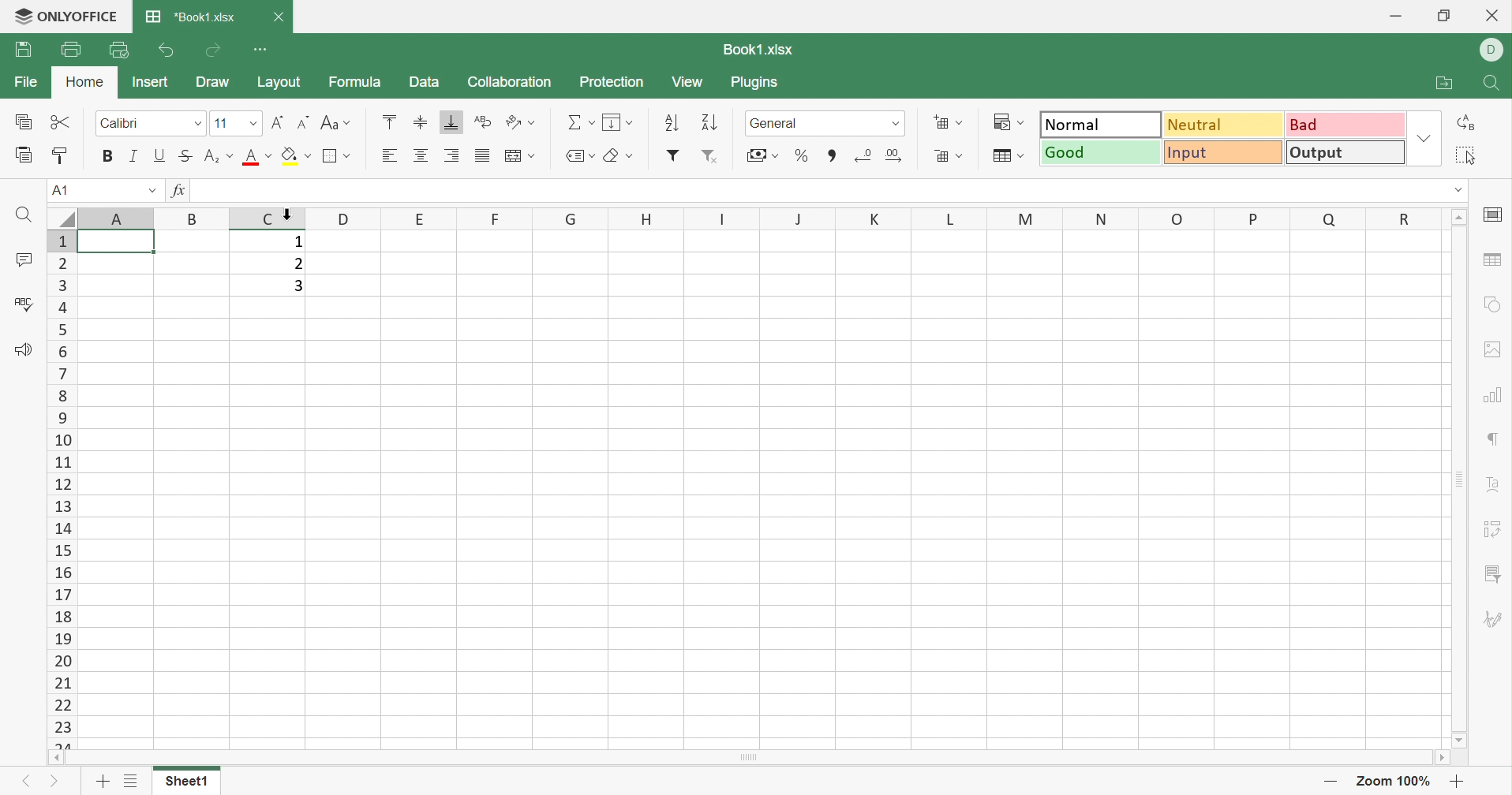 This screenshot has height=795, width=1512. Describe the element at coordinates (116, 48) in the screenshot. I see `Quick Print` at that location.